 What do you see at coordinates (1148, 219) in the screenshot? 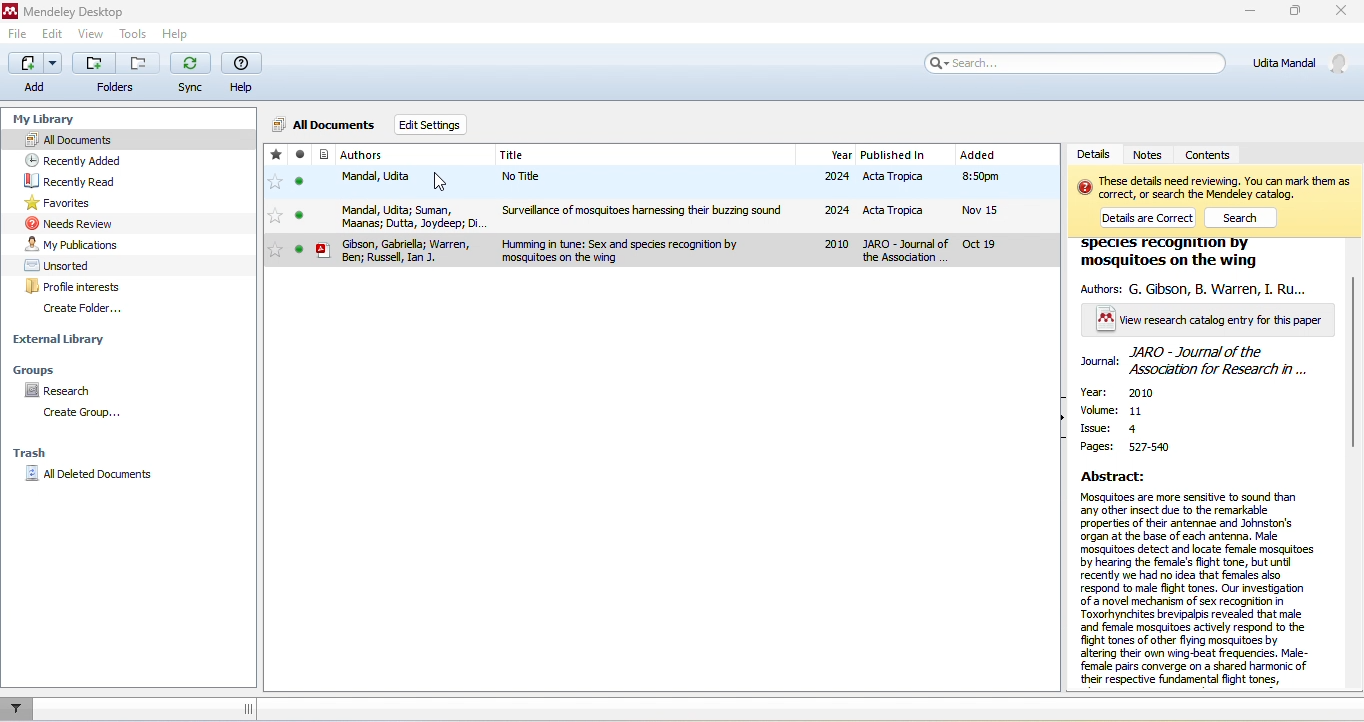
I see `details are correct` at bounding box center [1148, 219].